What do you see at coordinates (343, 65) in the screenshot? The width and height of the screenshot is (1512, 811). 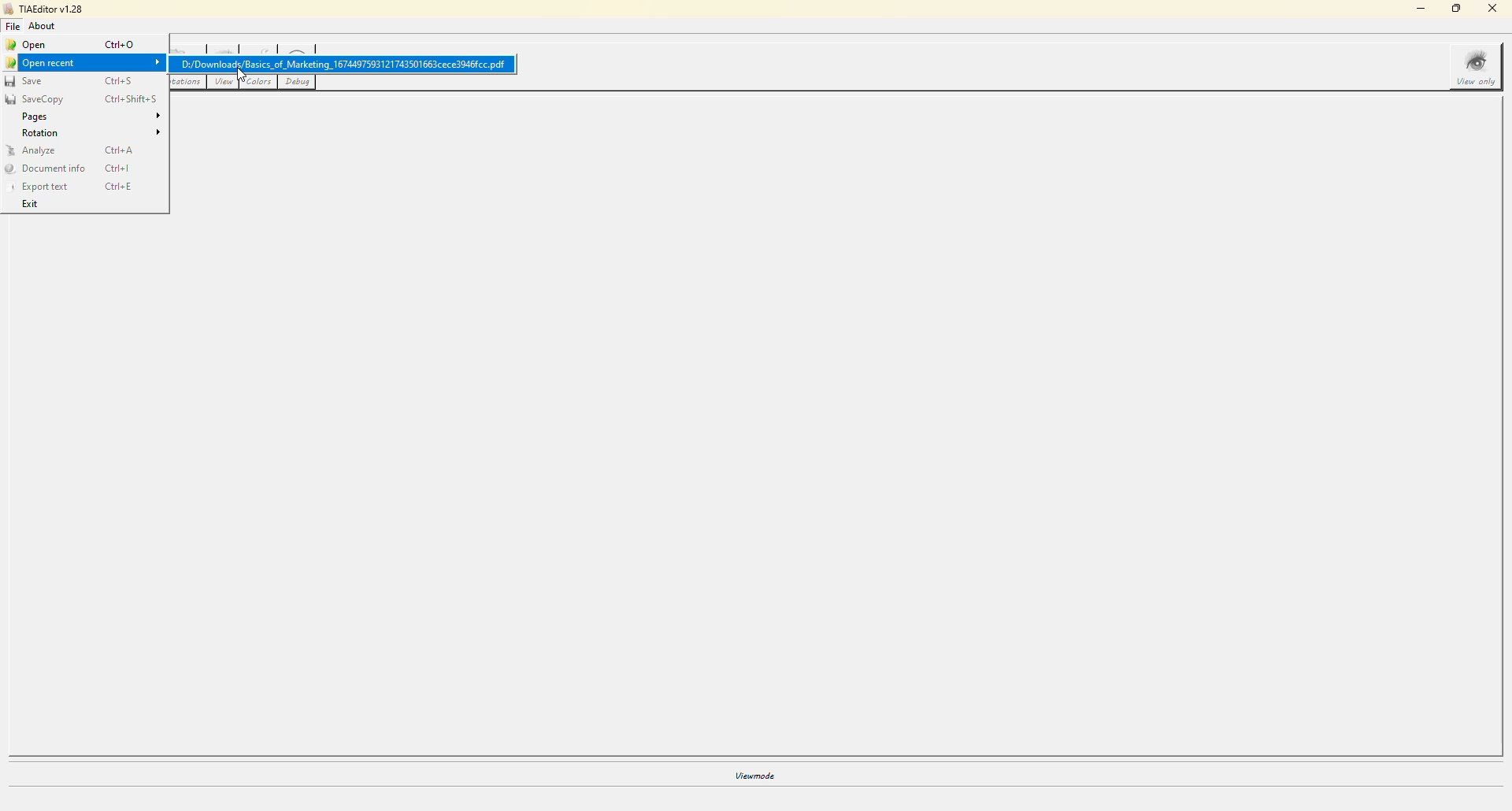 I see `D:/Downloads/Basics_of_Marketing_1674497593121743501663cece3046fcc pdf` at bounding box center [343, 65].